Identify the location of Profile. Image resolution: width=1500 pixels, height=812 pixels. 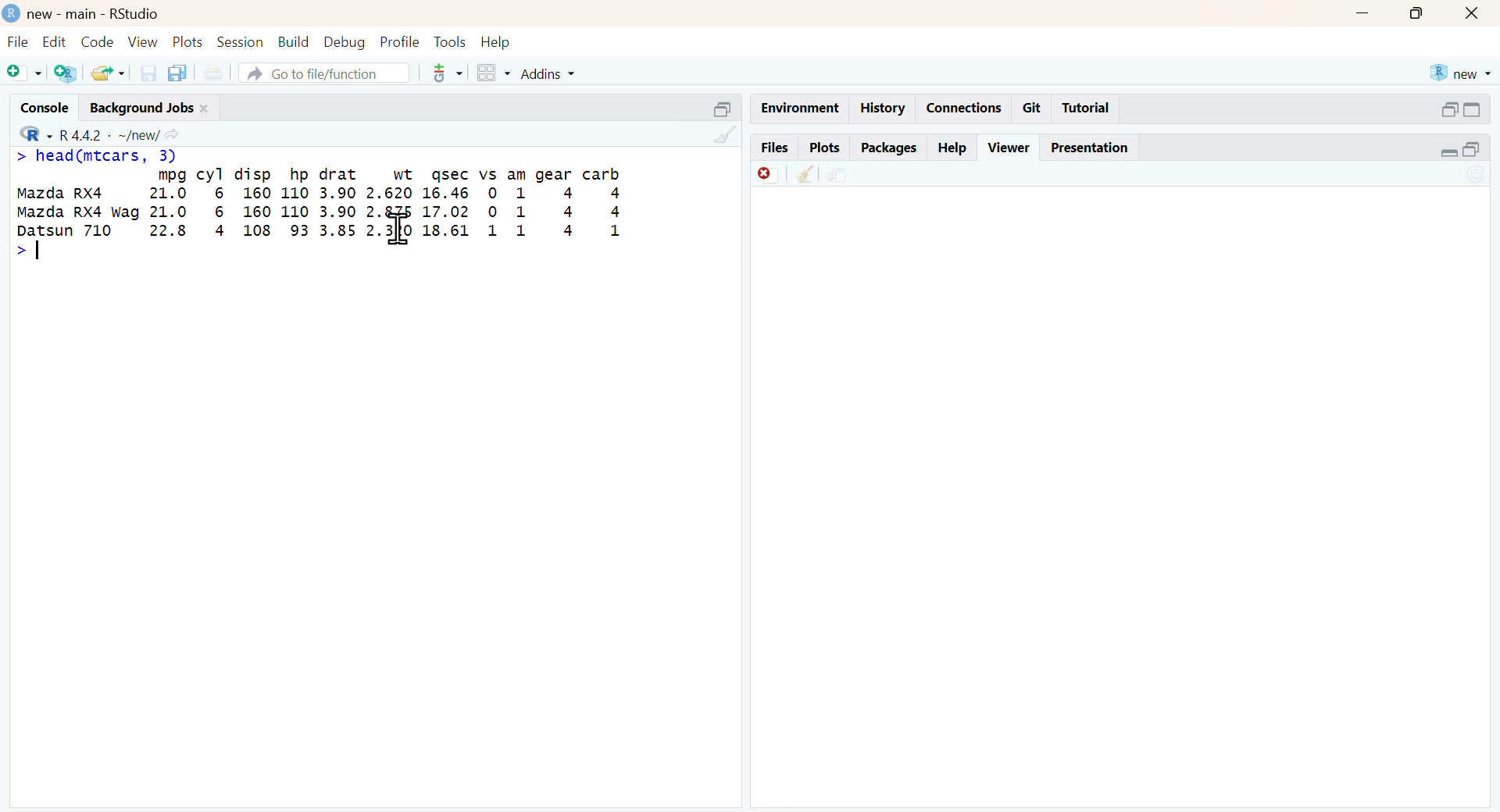
(397, 40).